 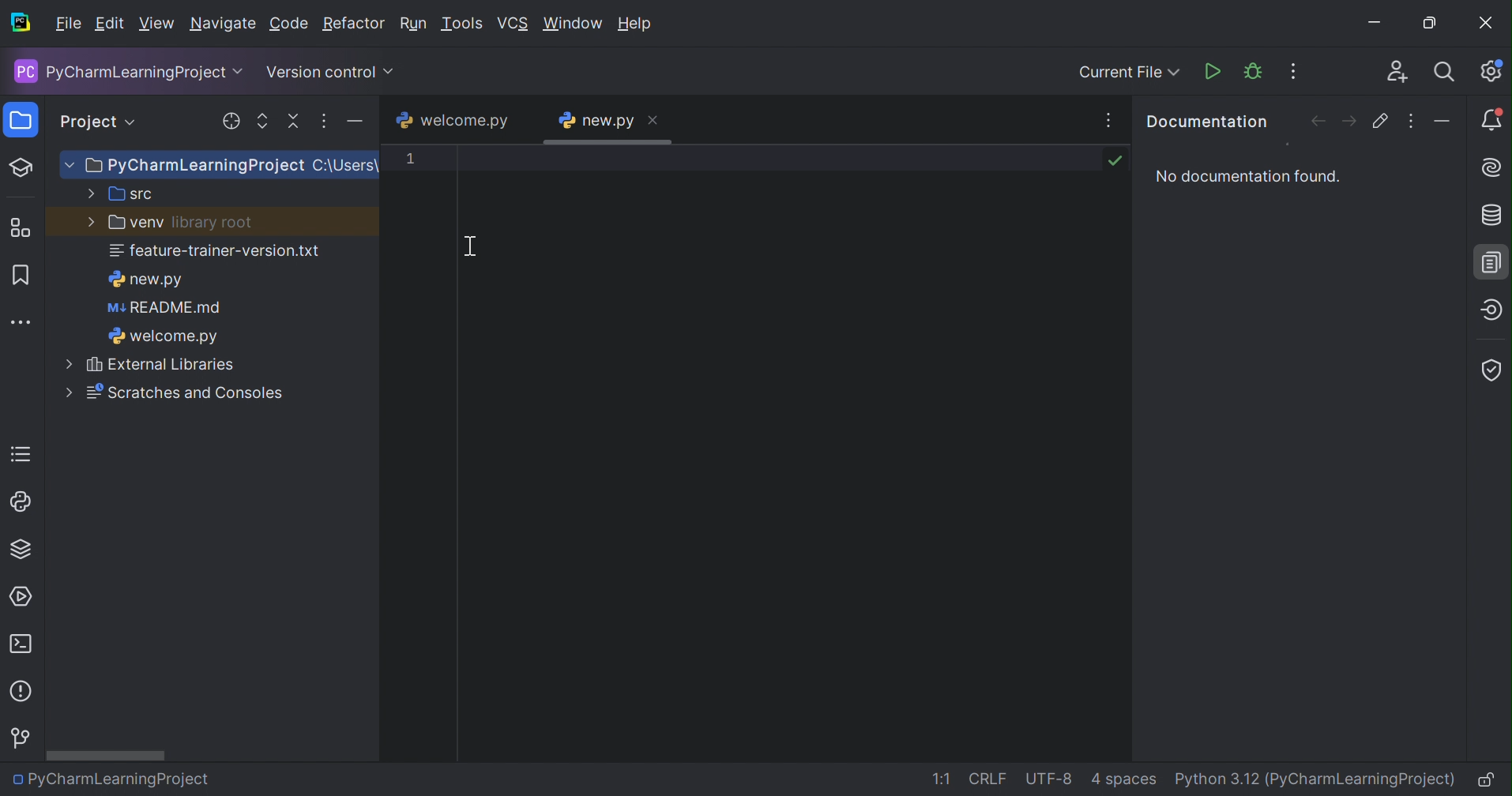 What do you see at coordinates (1115, 159) in the screenshot?
I see `No problems found` at bounding box center [1115, 159].